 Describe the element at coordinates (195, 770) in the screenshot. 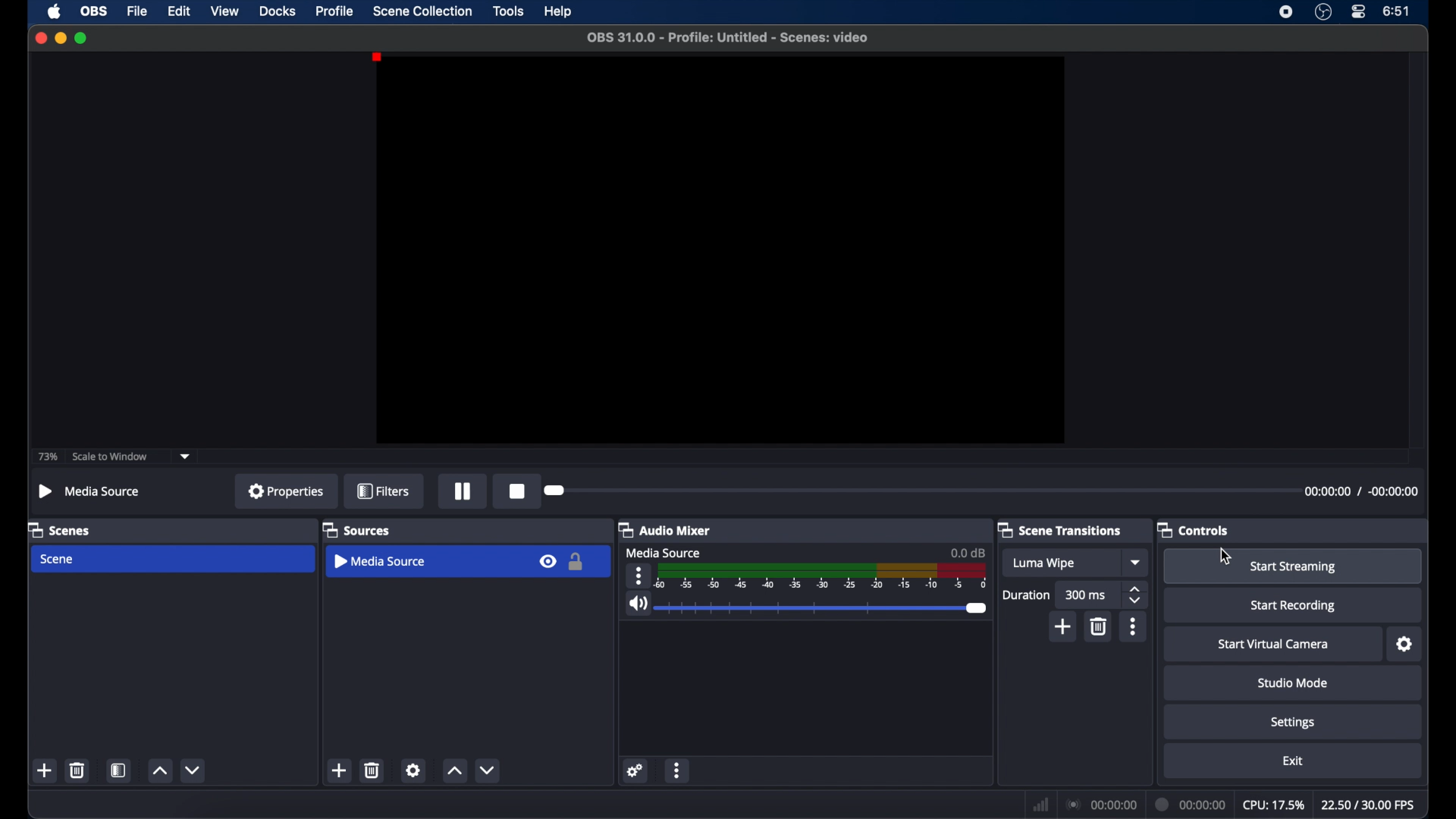

I see `decrement` at that location.